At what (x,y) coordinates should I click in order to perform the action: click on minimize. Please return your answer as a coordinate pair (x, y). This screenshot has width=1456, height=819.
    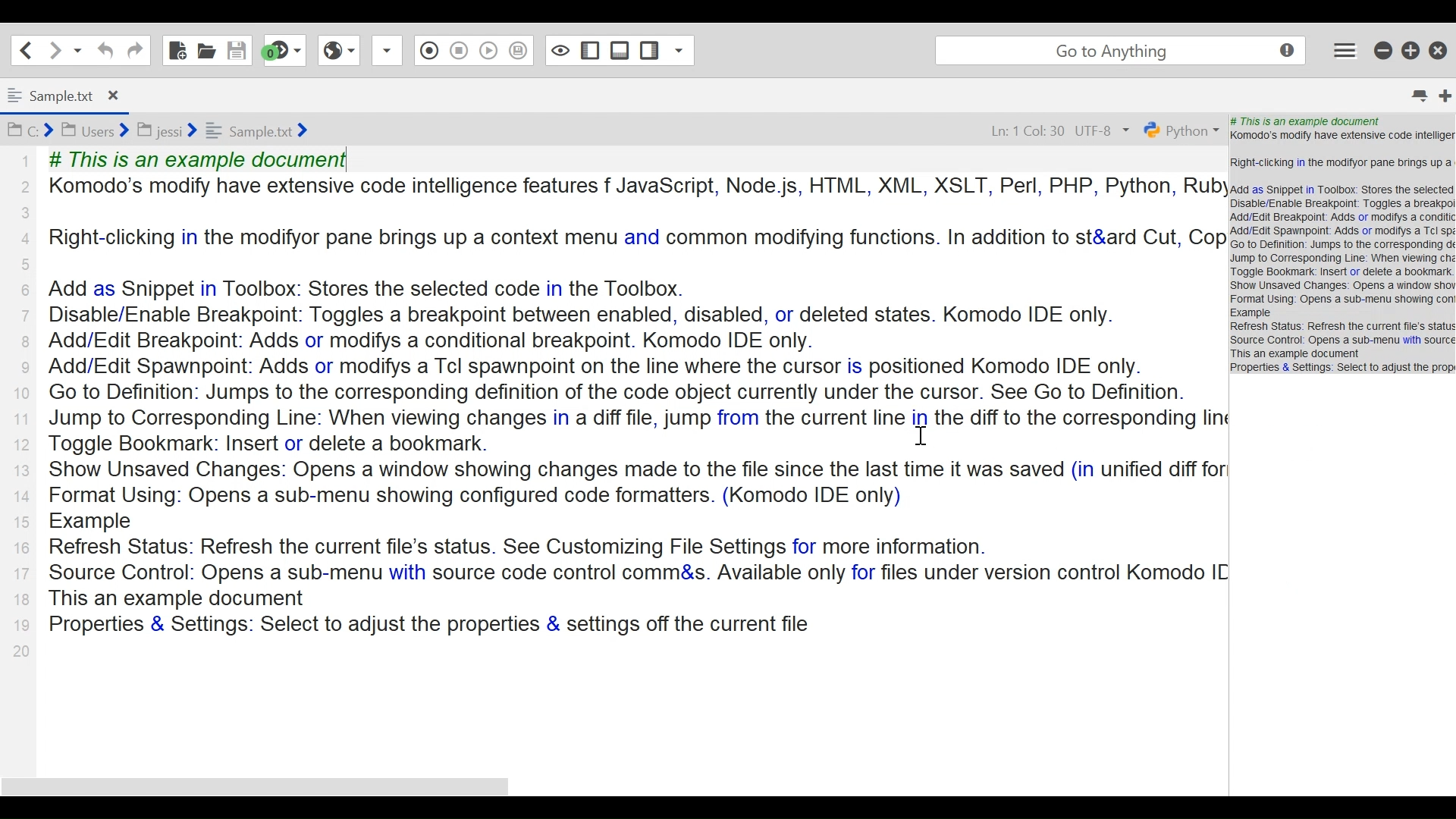
    Looking at the image, I should click on (1380, 50).